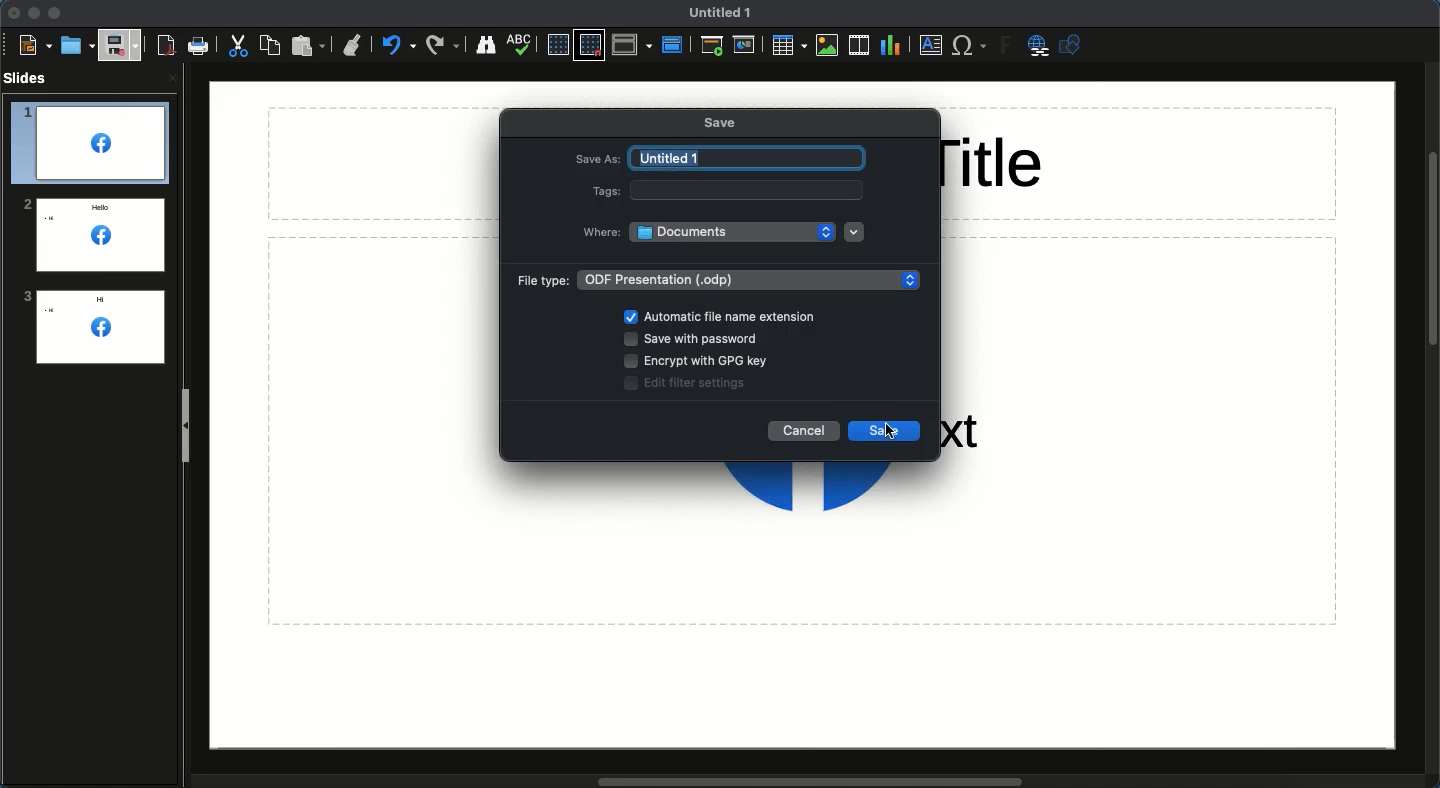  What do you see at coordinates (558, 45) in the screenshot?
I see `Display grid` at bounding box center [558, 45].